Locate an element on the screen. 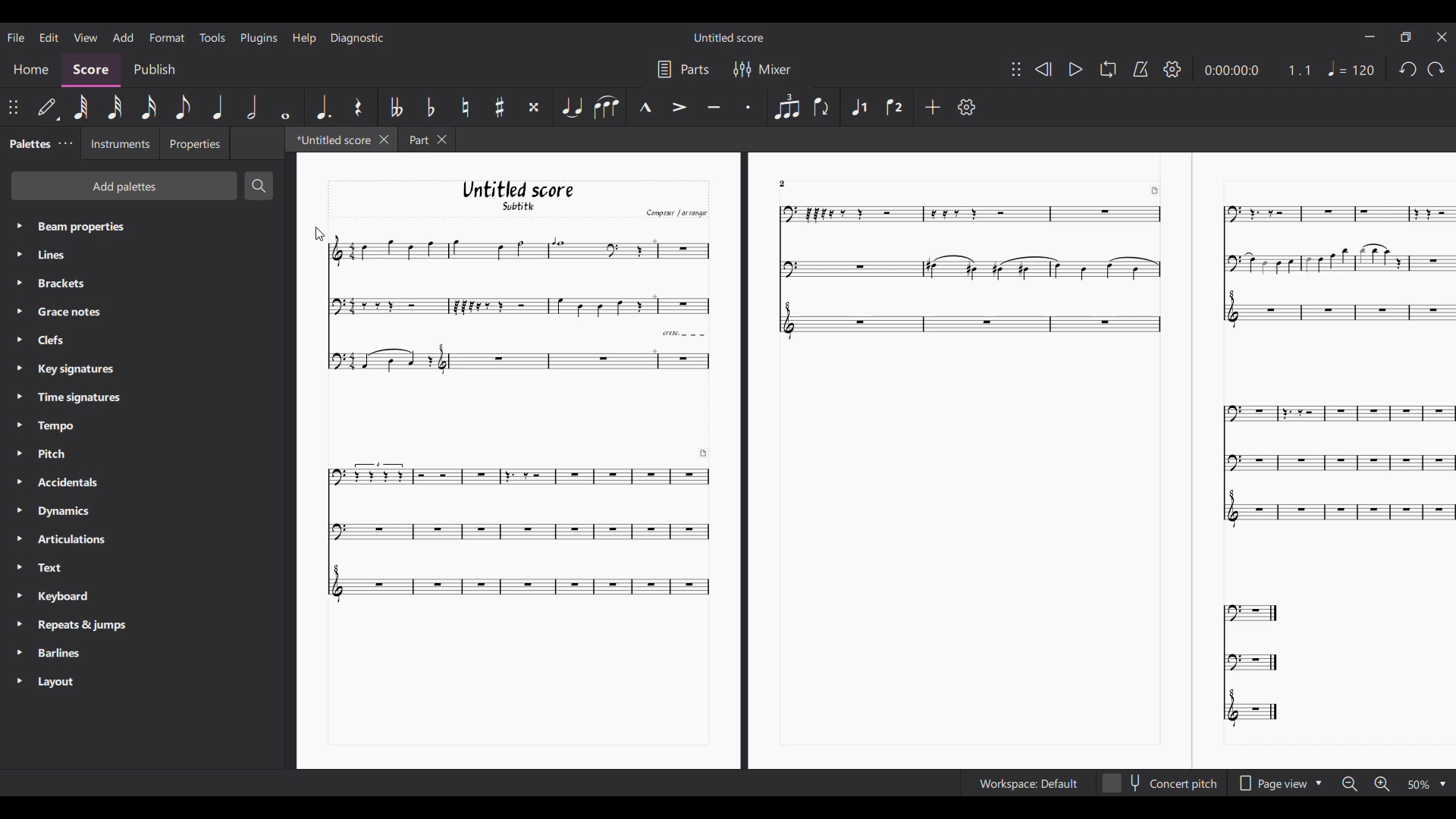 This screenshot has width=1456, height=819. Rewind is located at coordinates (1043, 69).